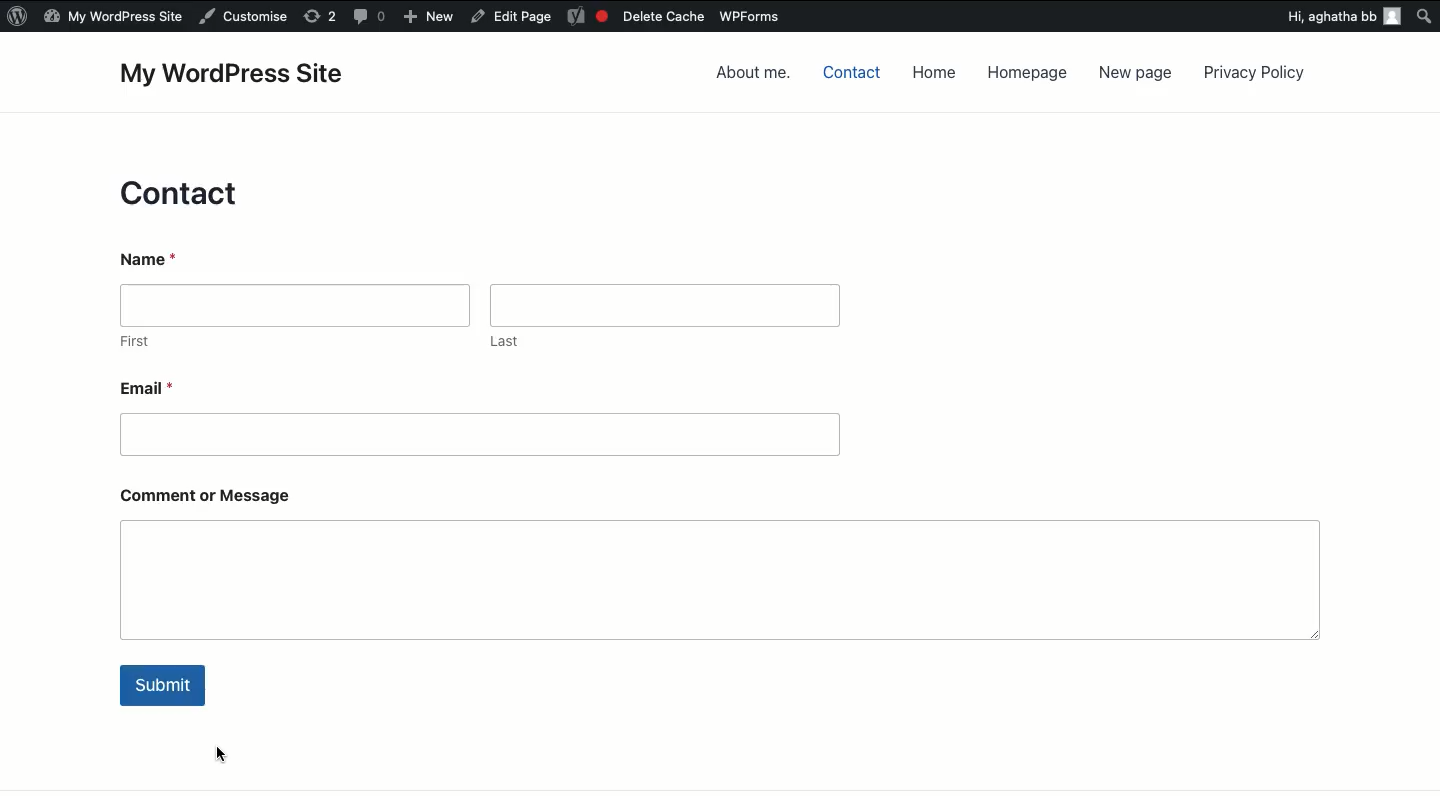 This screenshot has width=1440, height=796. What do you see at coordinates (514, 17) in the screenshot?
I see `Edit Page` at bounding box center [514, 17].